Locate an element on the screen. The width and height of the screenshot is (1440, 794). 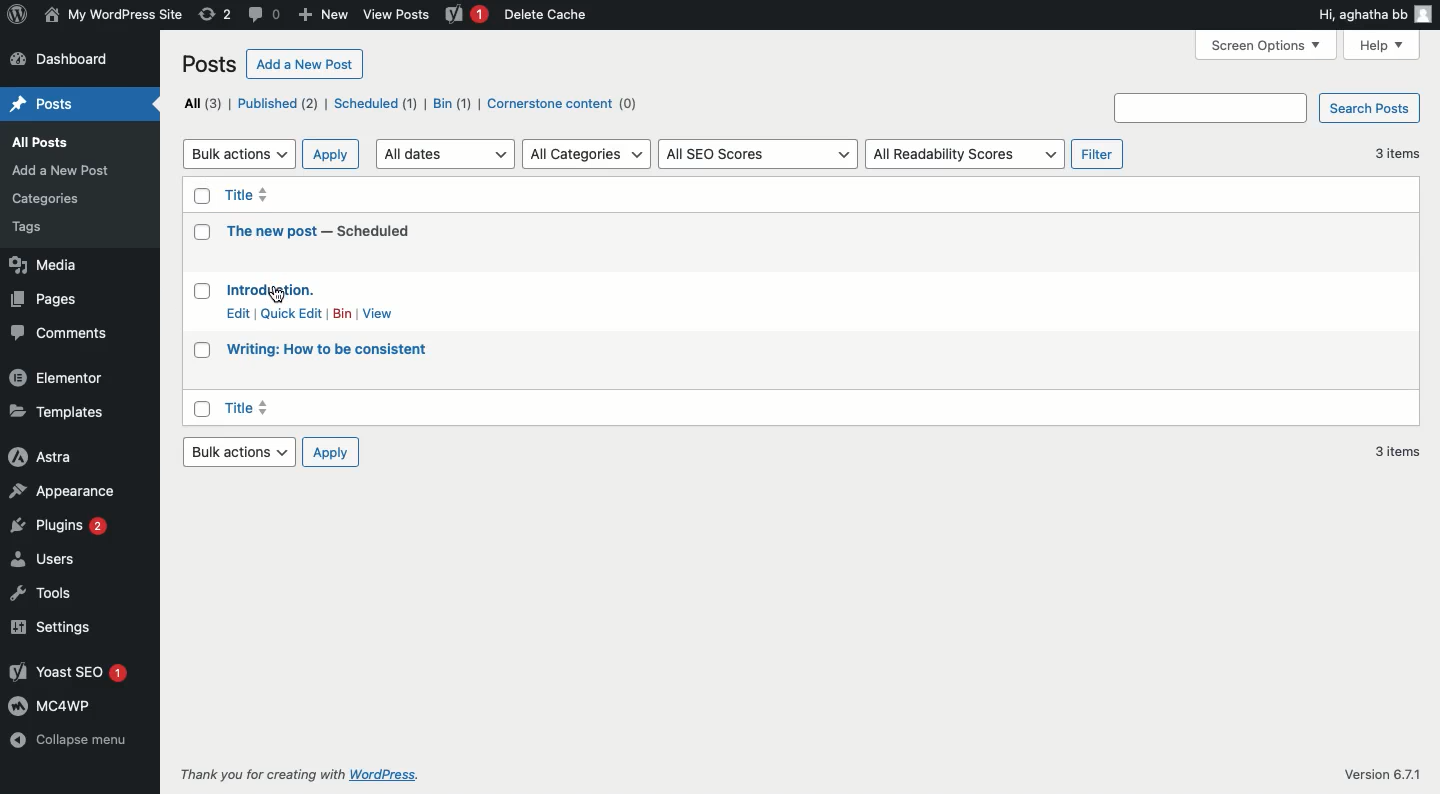
cursor is located at coordinates (277, 293).